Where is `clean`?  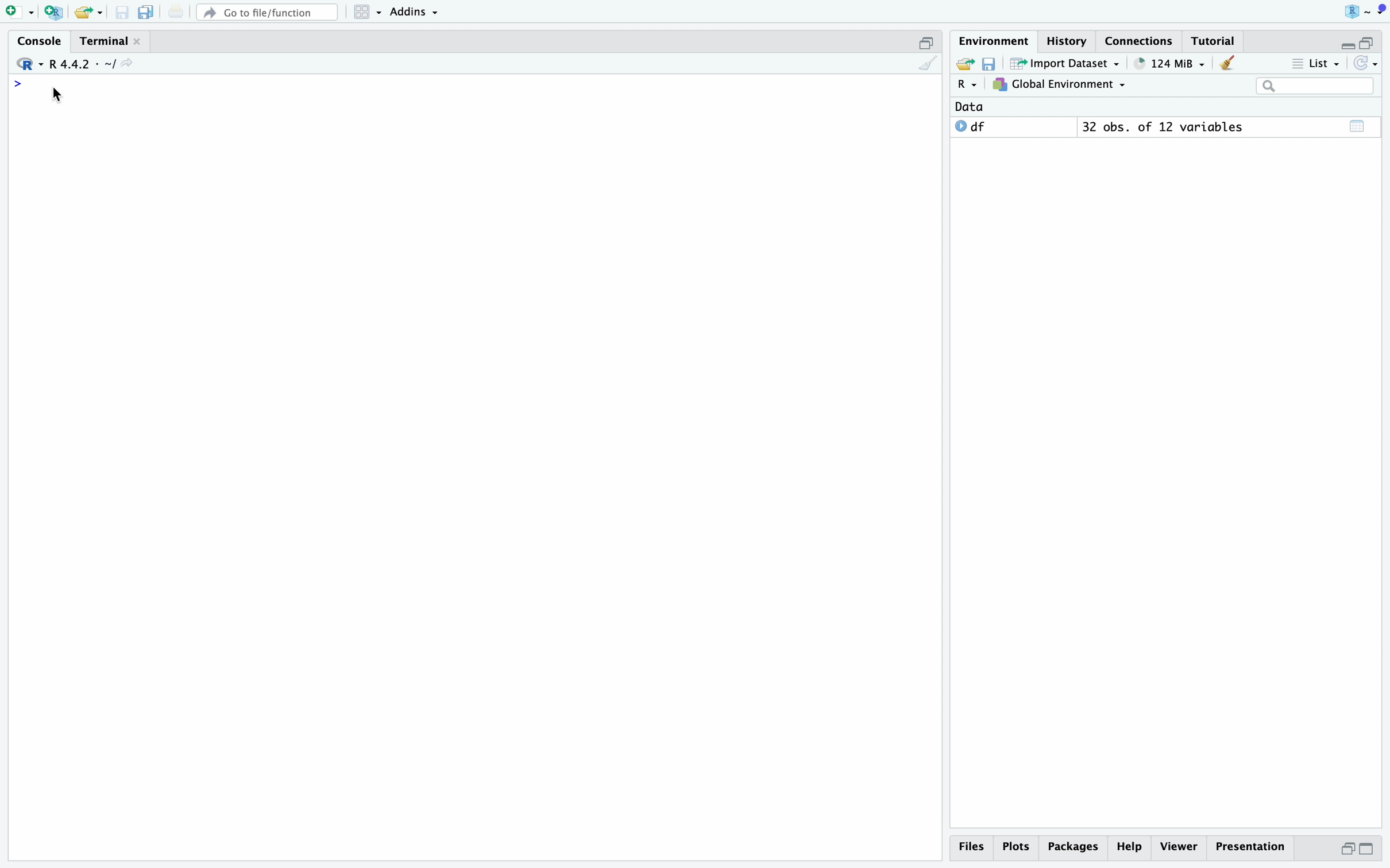
clean is located at coordinates (928, 63).